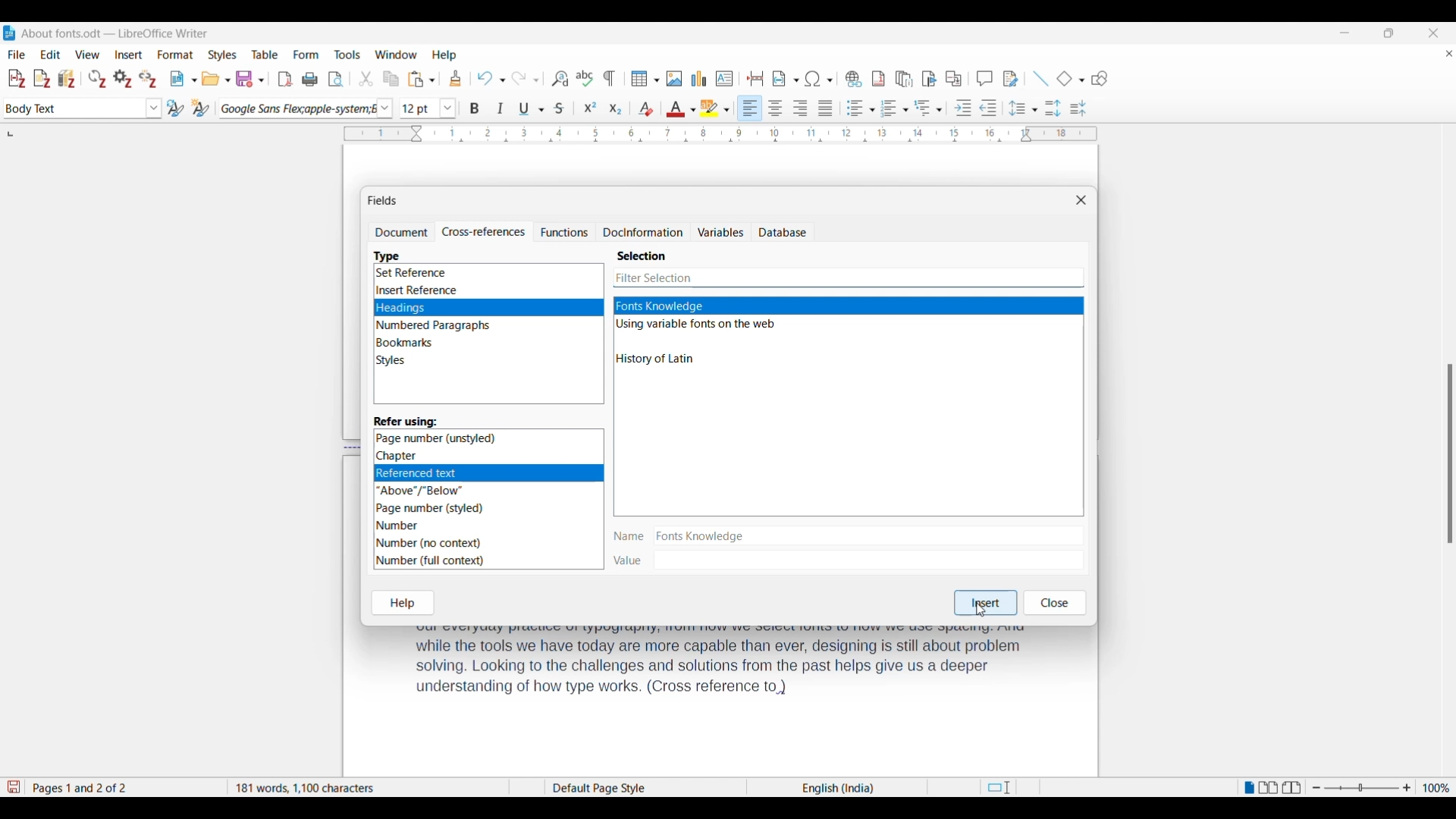  What do you see at coordinates (124, 787) in the screenshot?
I see `Page 1 and 2 of 2` at bounding box center [124, 787].